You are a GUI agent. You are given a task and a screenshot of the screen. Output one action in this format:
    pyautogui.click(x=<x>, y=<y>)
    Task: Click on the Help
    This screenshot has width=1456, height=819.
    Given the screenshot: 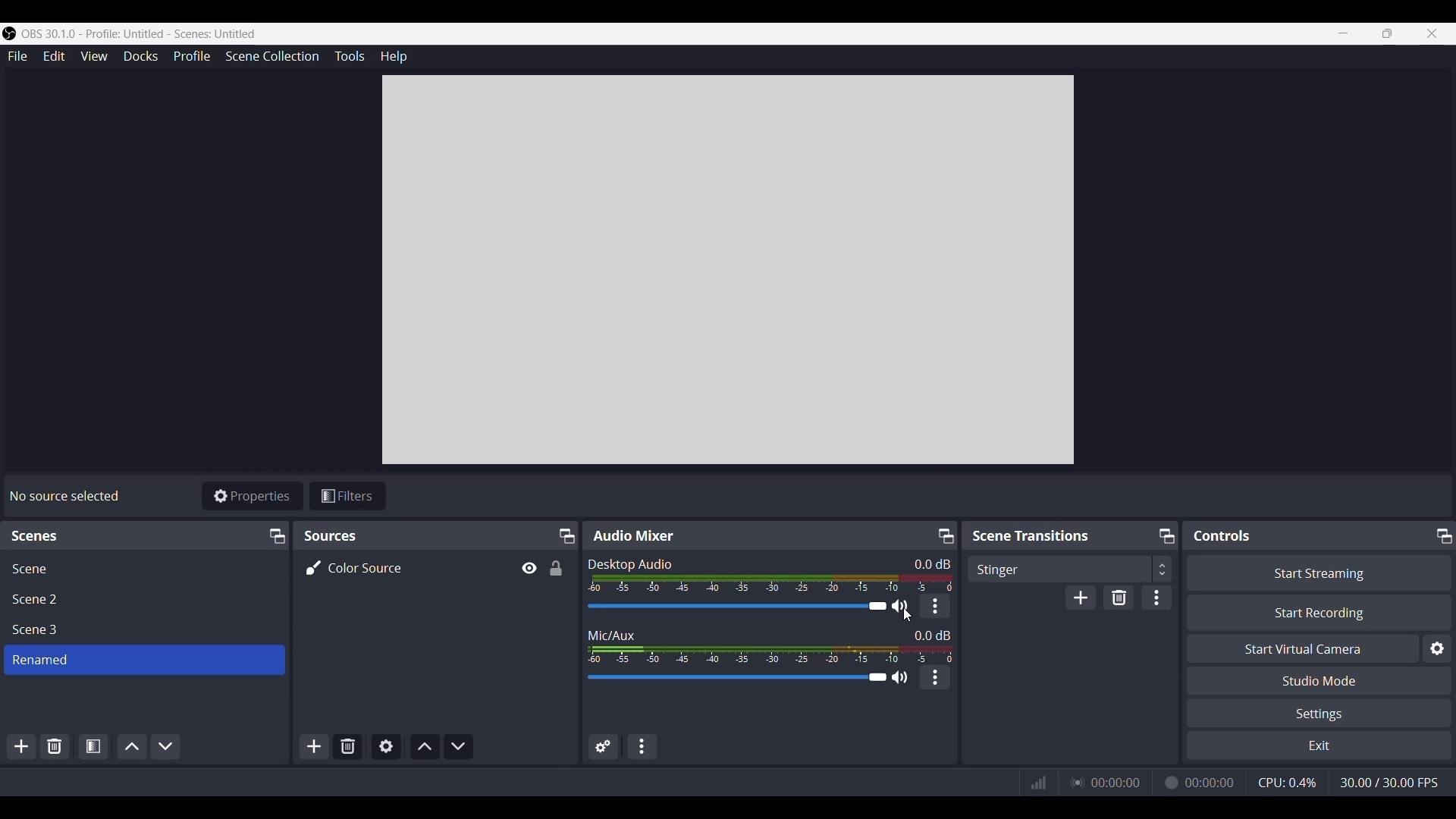 What is the action you would take?
    pyautogui.click(x=394, y=56)
    